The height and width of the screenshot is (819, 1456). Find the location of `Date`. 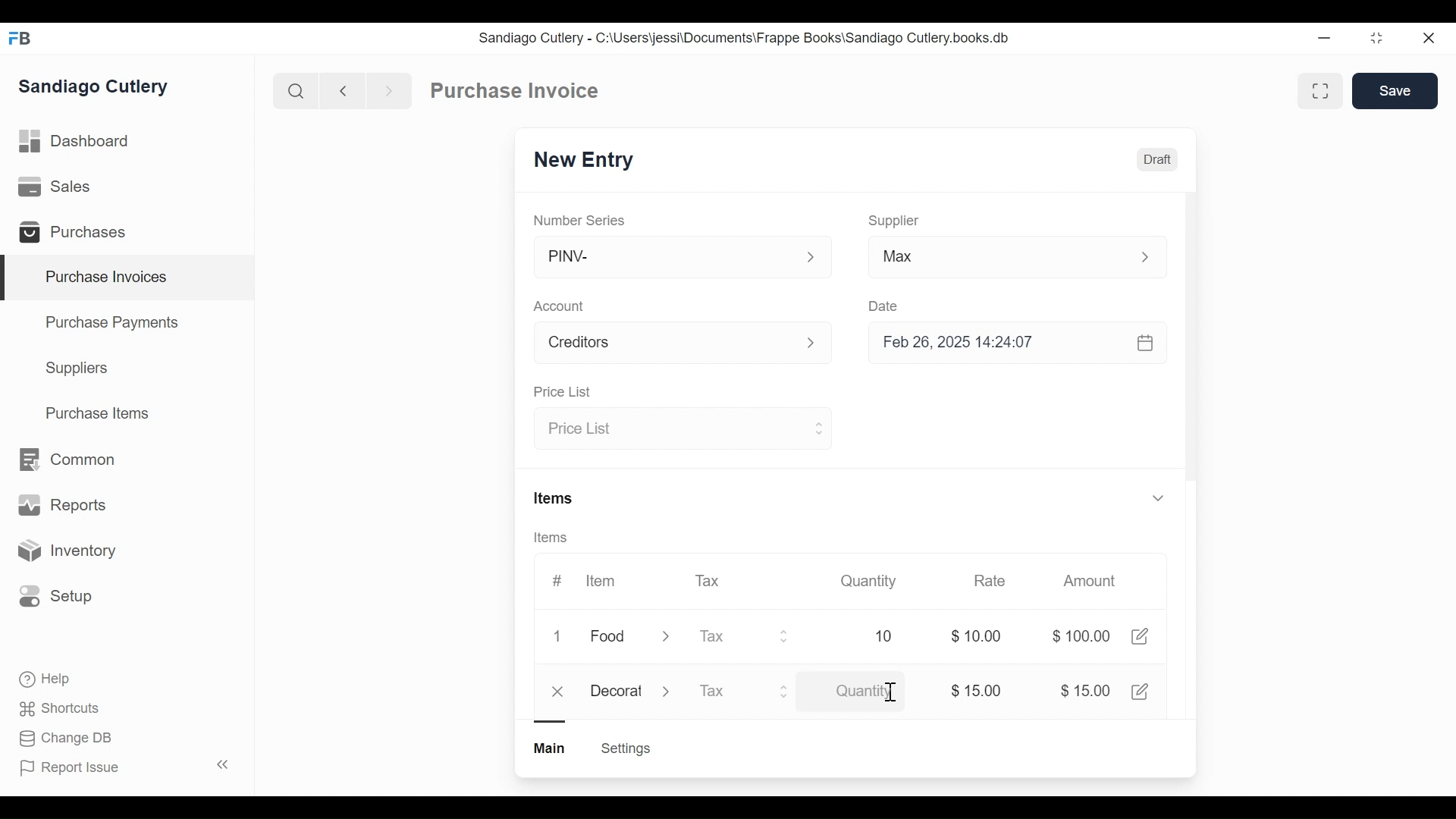

Date is located at coordinates (884, 306).